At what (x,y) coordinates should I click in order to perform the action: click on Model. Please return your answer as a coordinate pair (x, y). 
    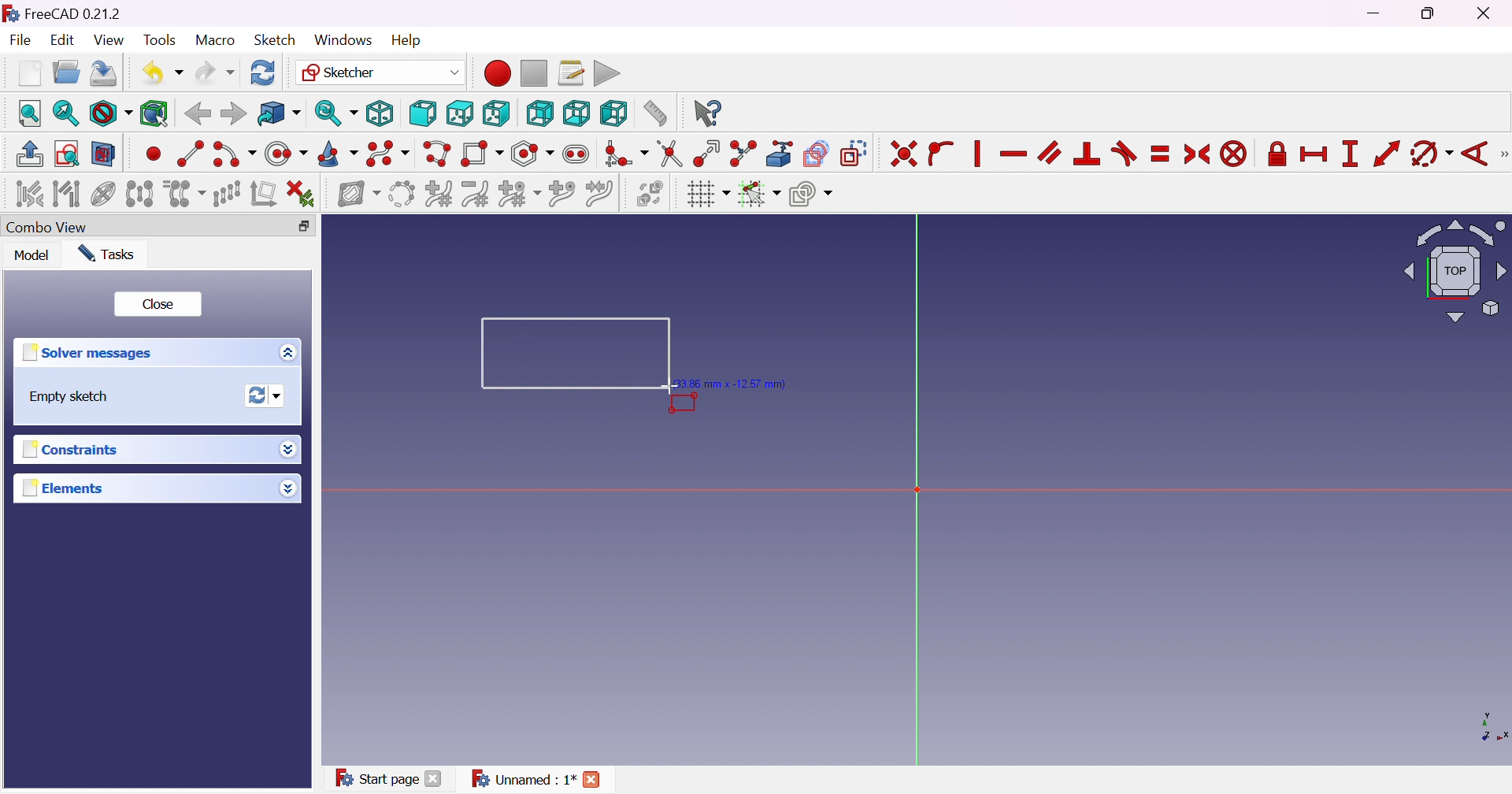
    Looking at the image, I should click on (33, 255).